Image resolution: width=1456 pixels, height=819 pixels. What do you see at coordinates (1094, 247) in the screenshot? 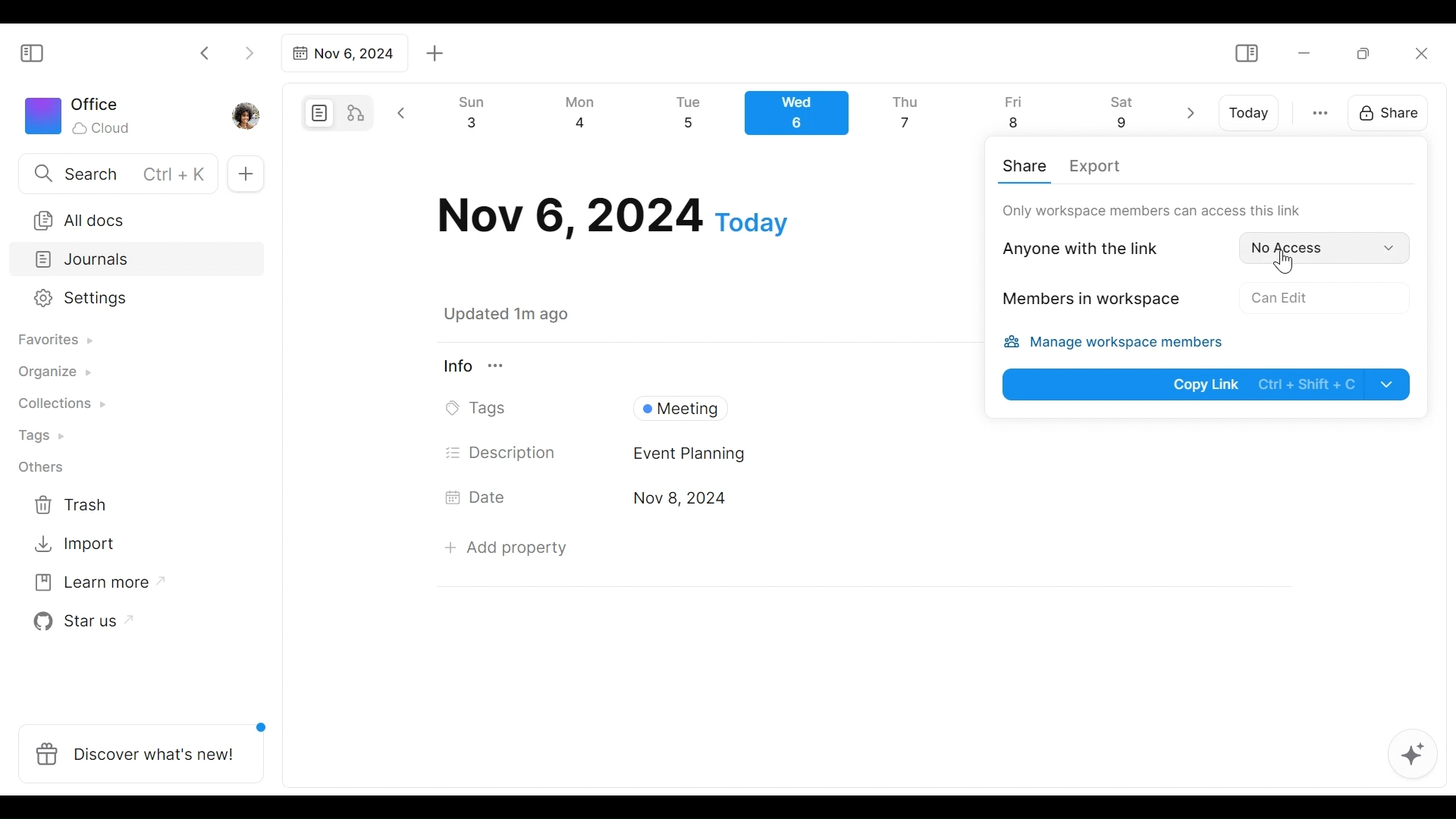
I see `Anyone with thelink` at bounding box center [1094, 247].